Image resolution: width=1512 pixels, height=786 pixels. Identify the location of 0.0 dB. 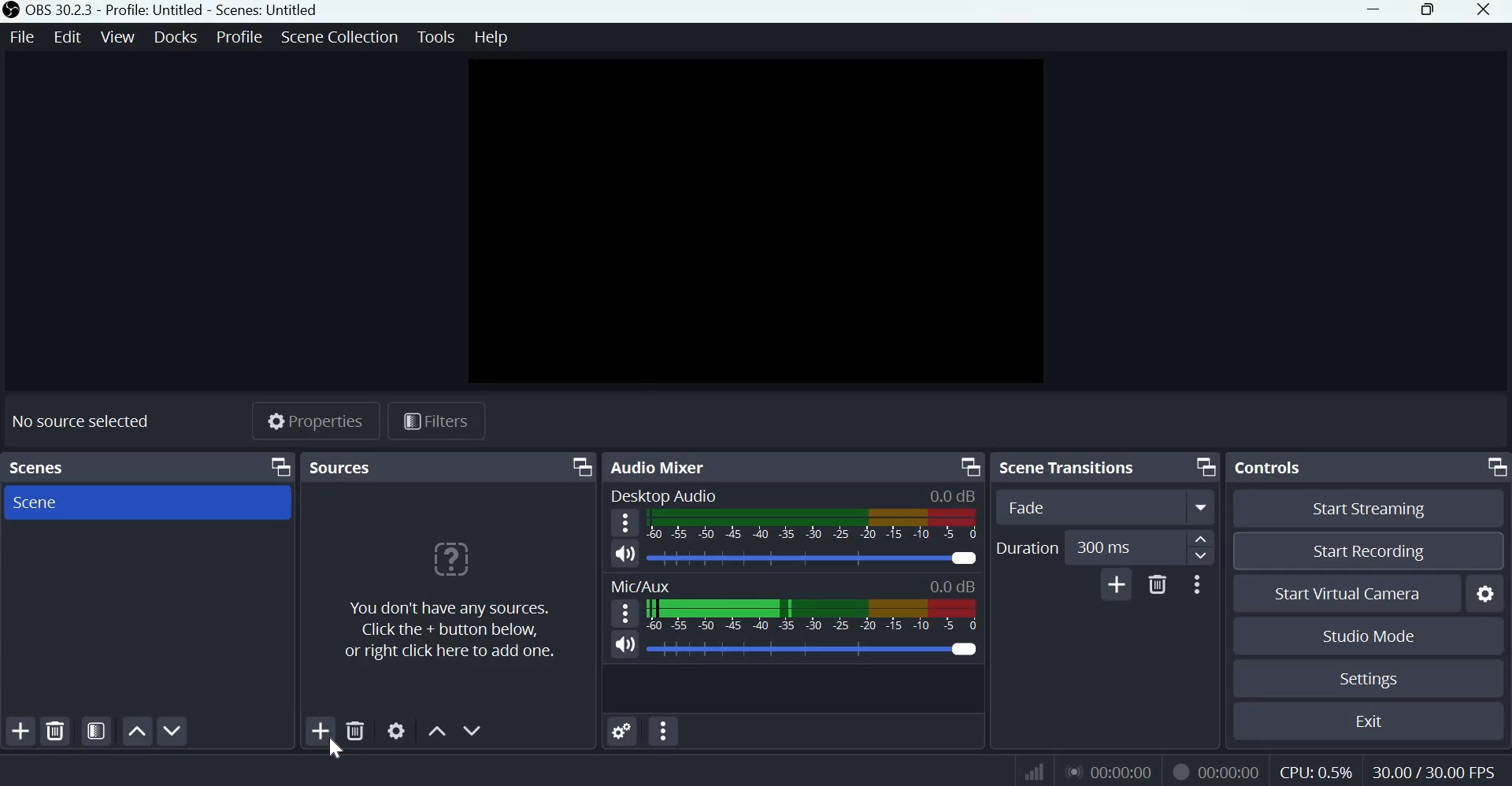
(953, 585).